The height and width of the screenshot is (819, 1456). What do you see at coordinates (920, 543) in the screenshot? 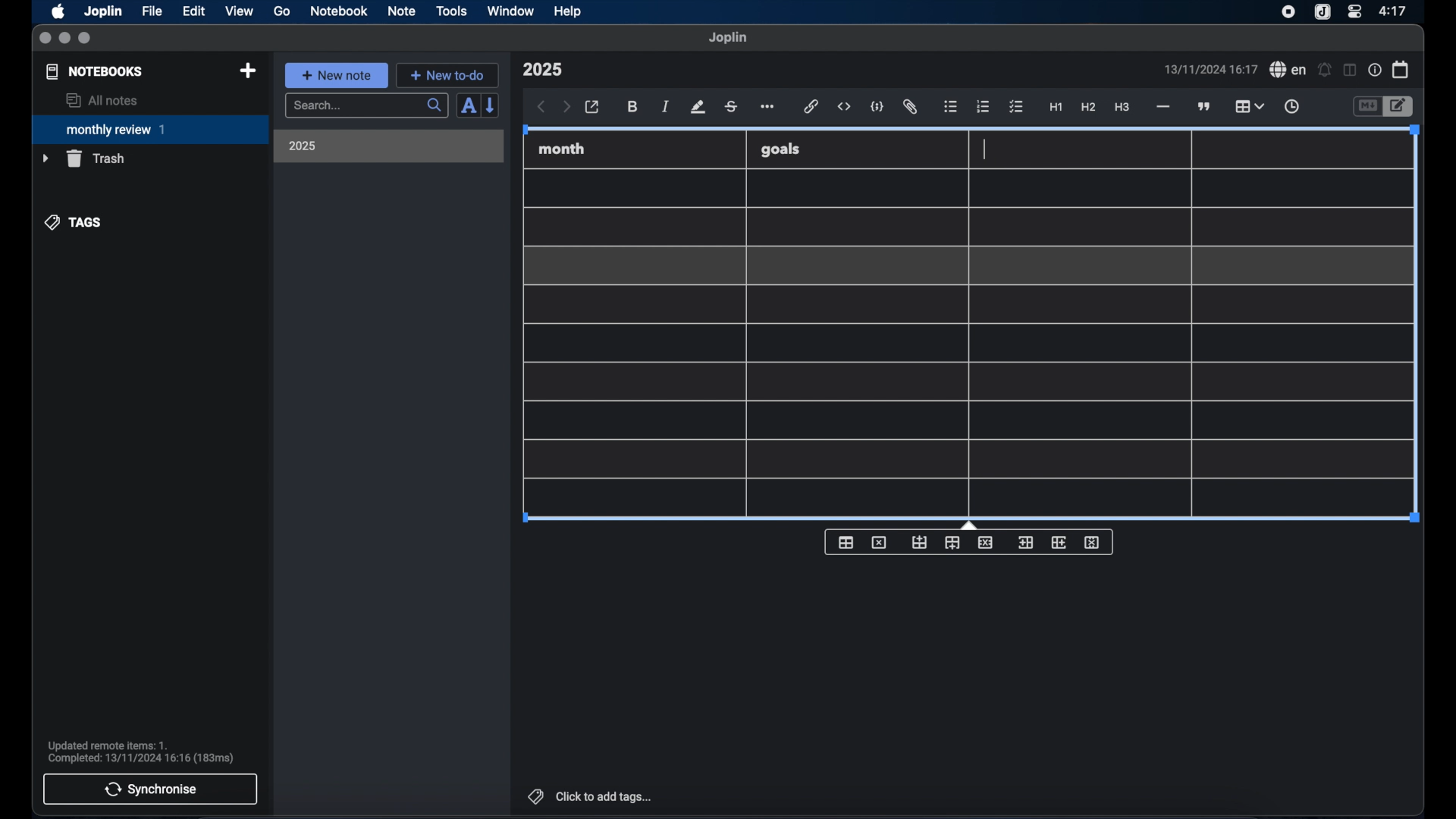
I see `insert row before` at bounding box center [920, 543].